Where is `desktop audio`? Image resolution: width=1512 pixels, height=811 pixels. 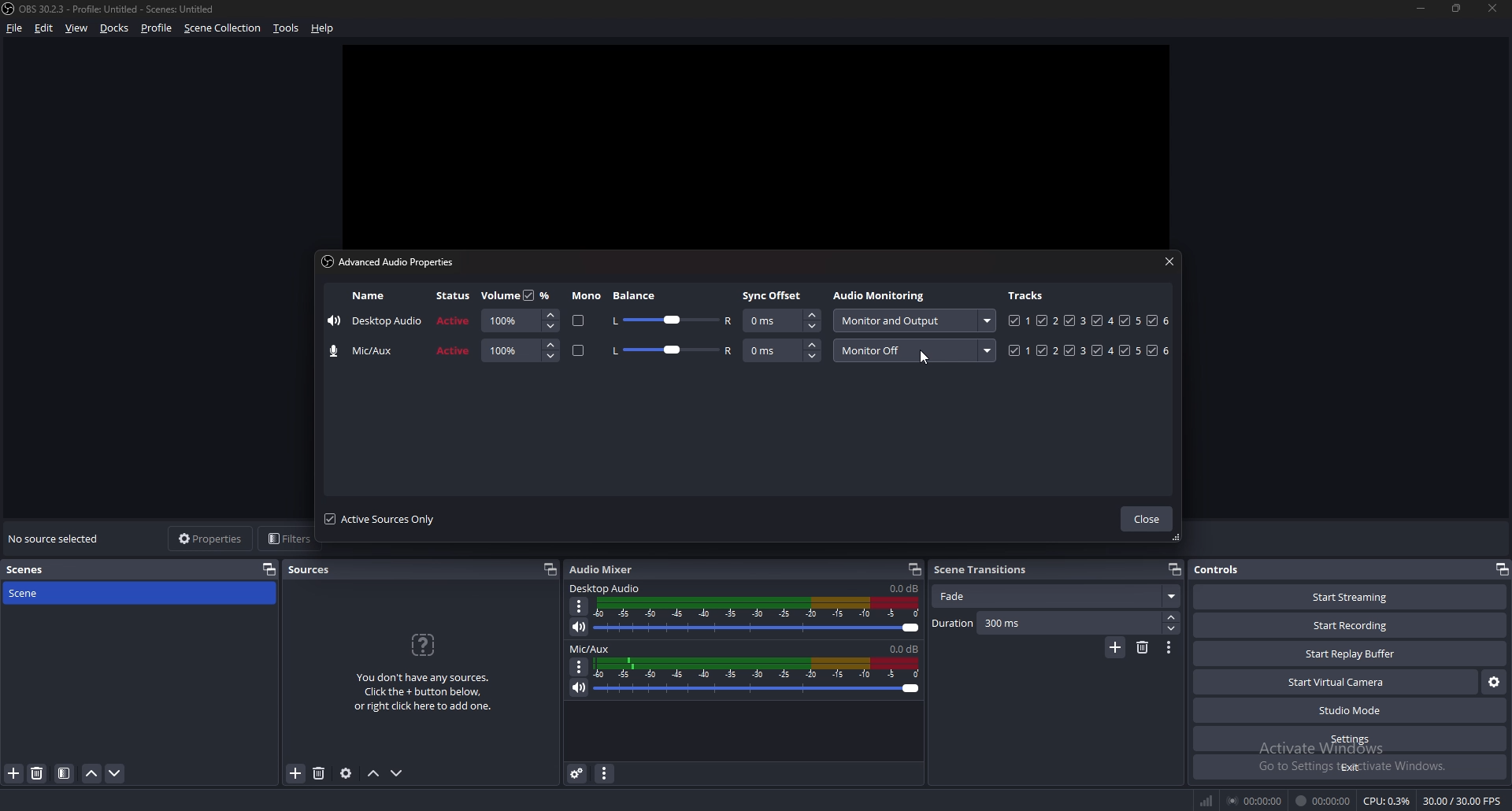
desktop audio is located at coordinates (606, 589).